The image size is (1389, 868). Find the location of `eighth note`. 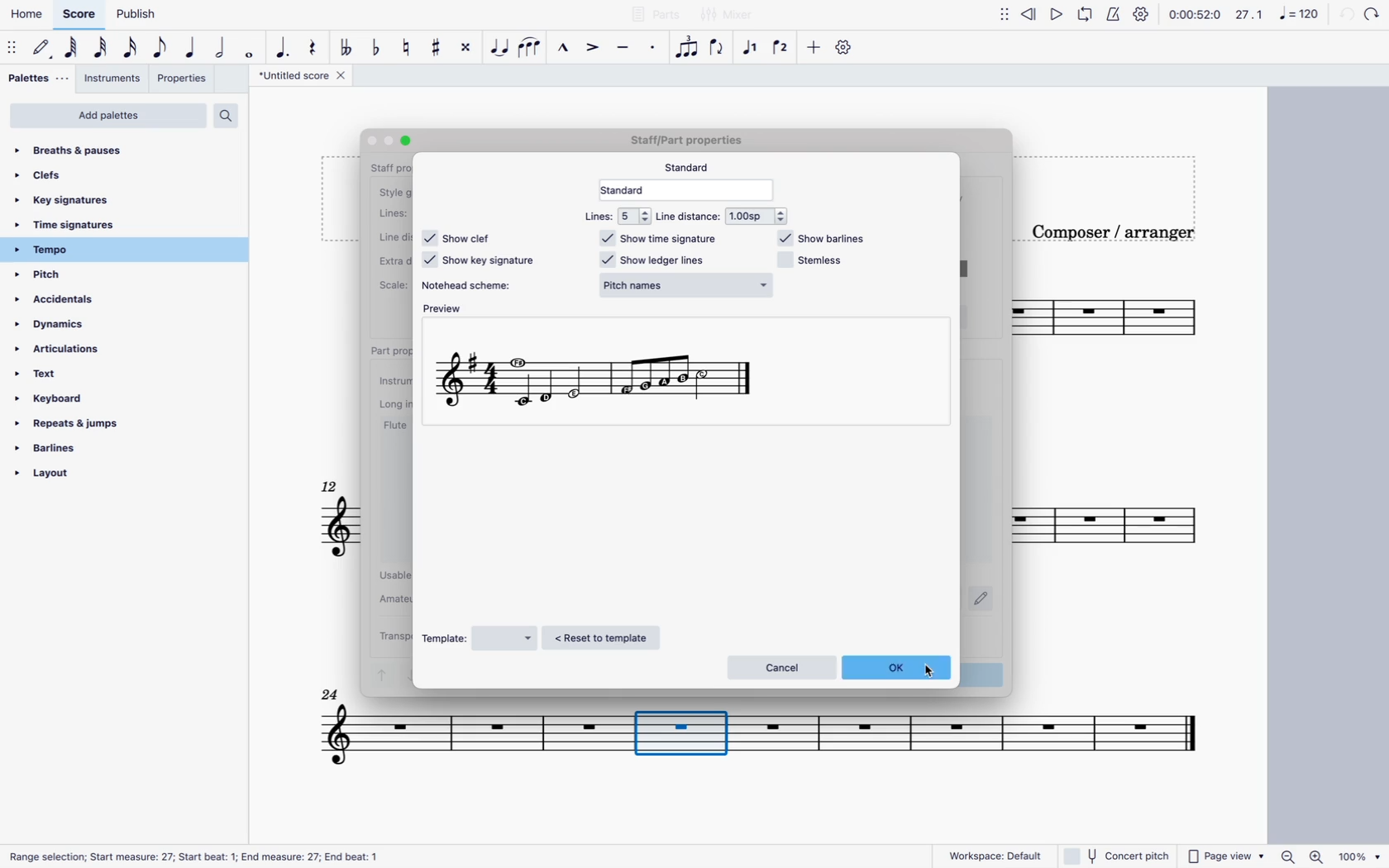

eighth note is located at coordinates (161, 48).